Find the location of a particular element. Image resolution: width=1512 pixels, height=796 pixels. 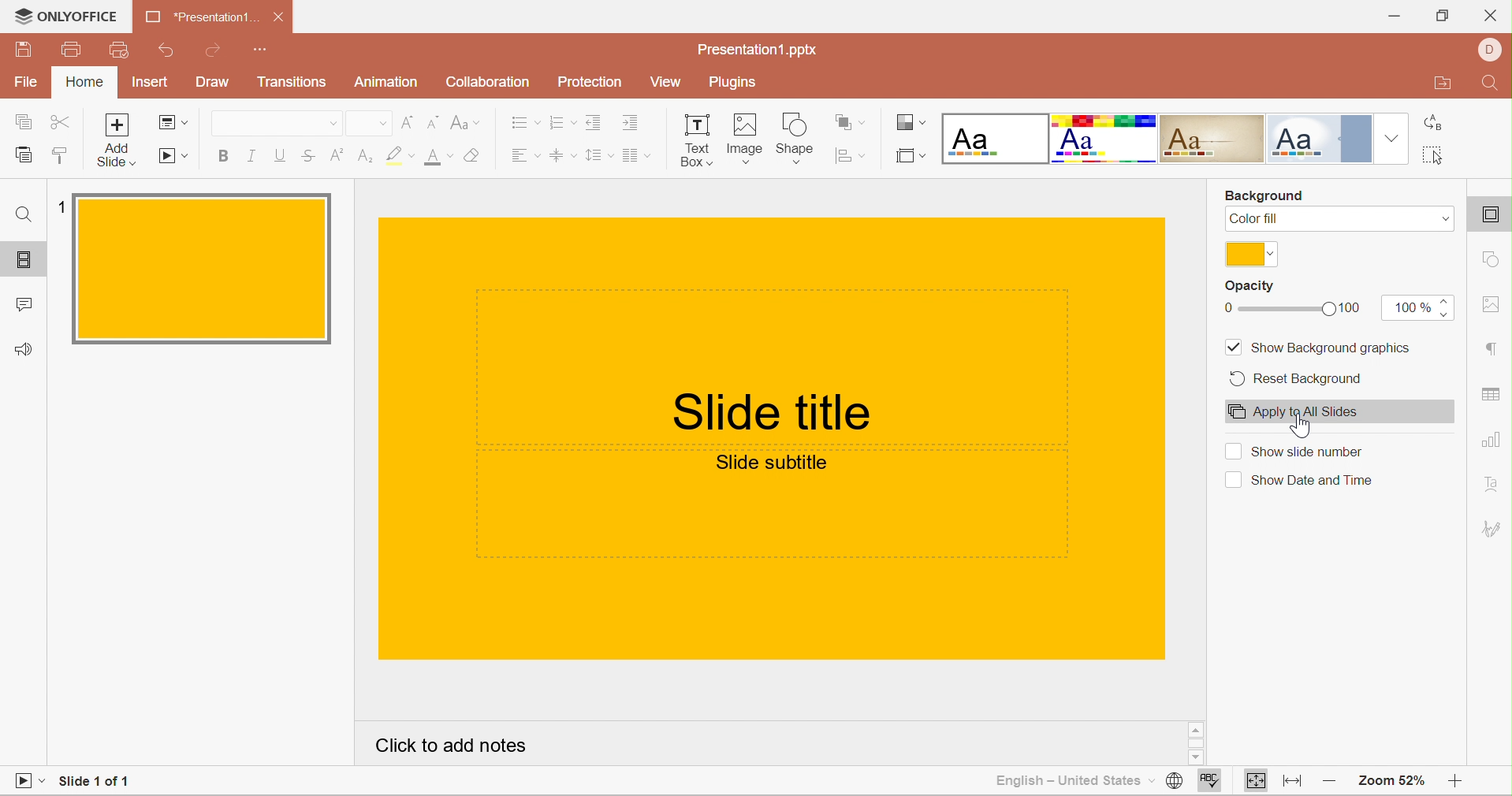

DELL is located at coordinates (1493, 48).